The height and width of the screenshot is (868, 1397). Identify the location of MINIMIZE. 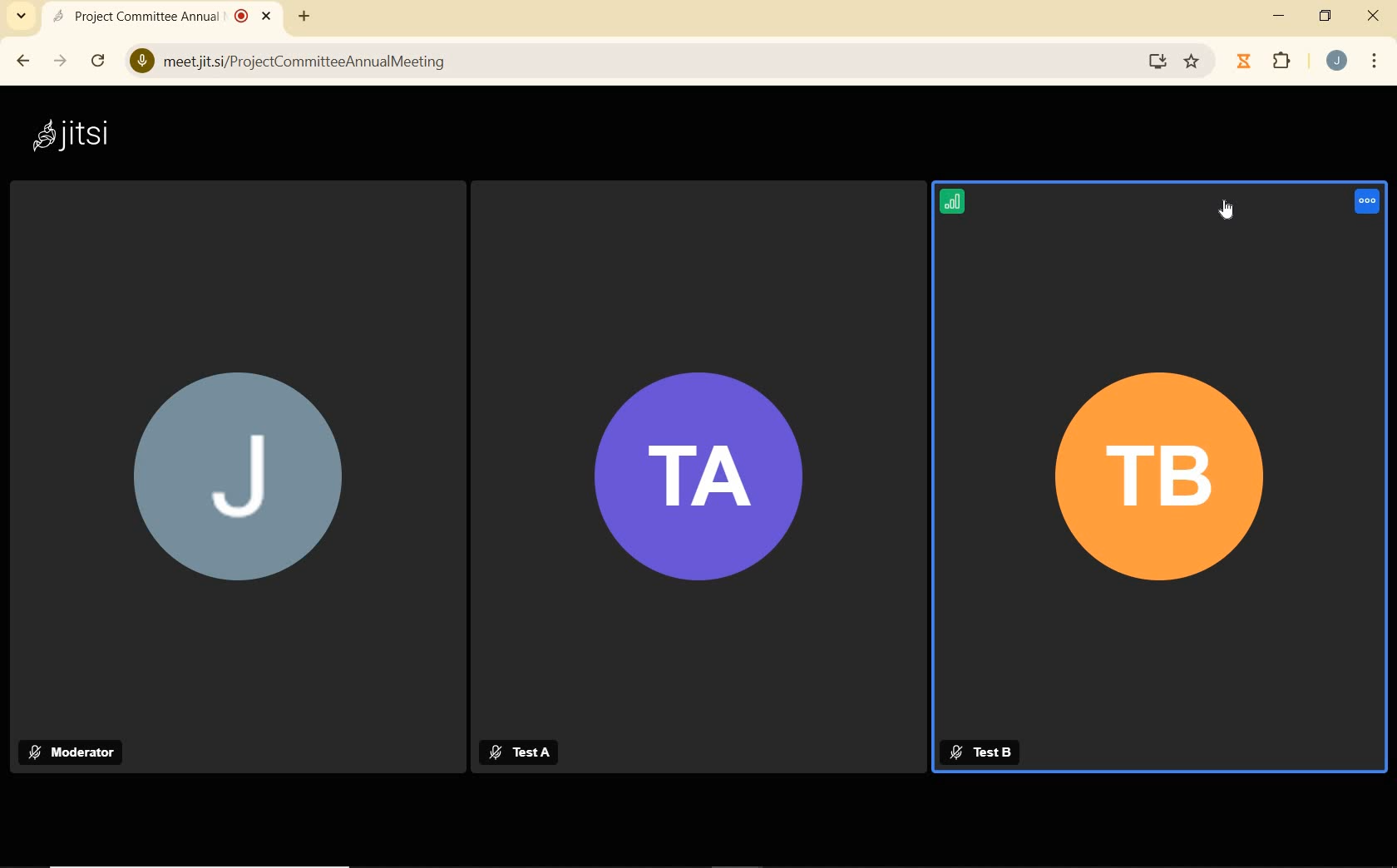
(1281, 16).